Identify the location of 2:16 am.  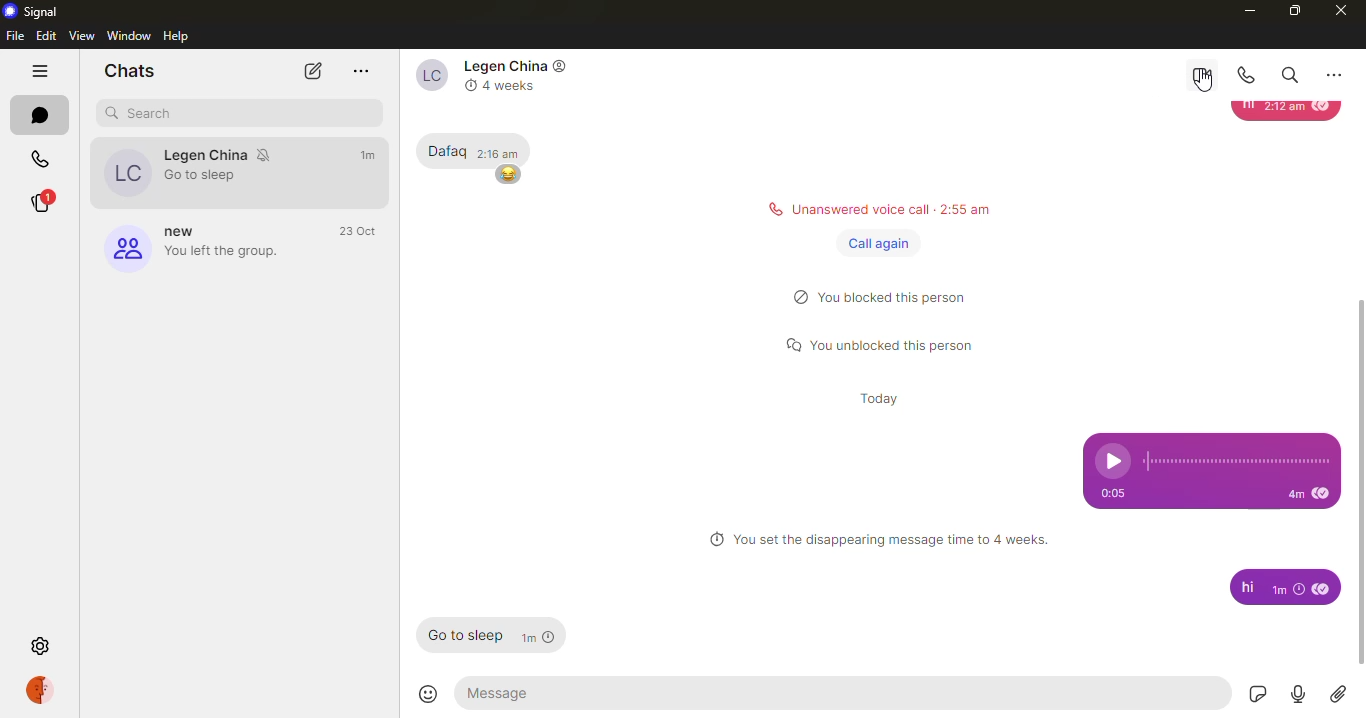
(499, 151).